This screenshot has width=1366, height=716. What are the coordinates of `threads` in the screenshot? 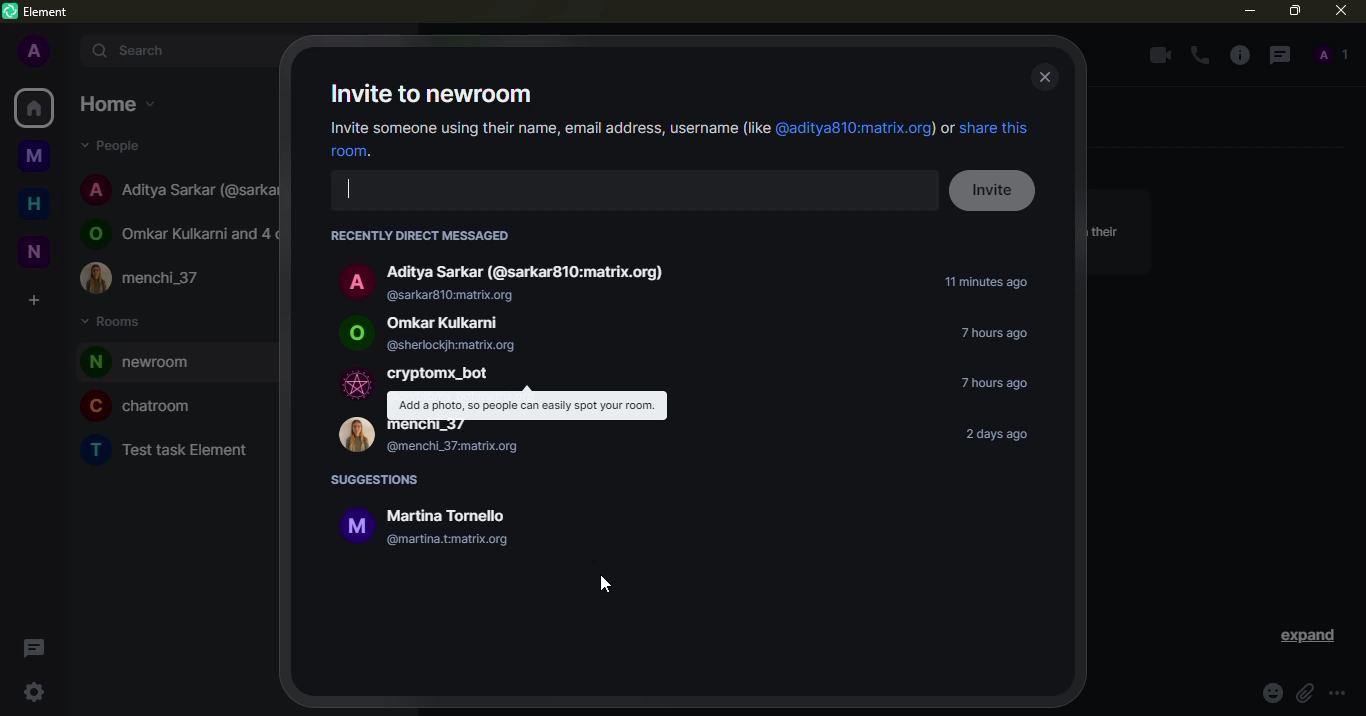 It's located at (34, 647).